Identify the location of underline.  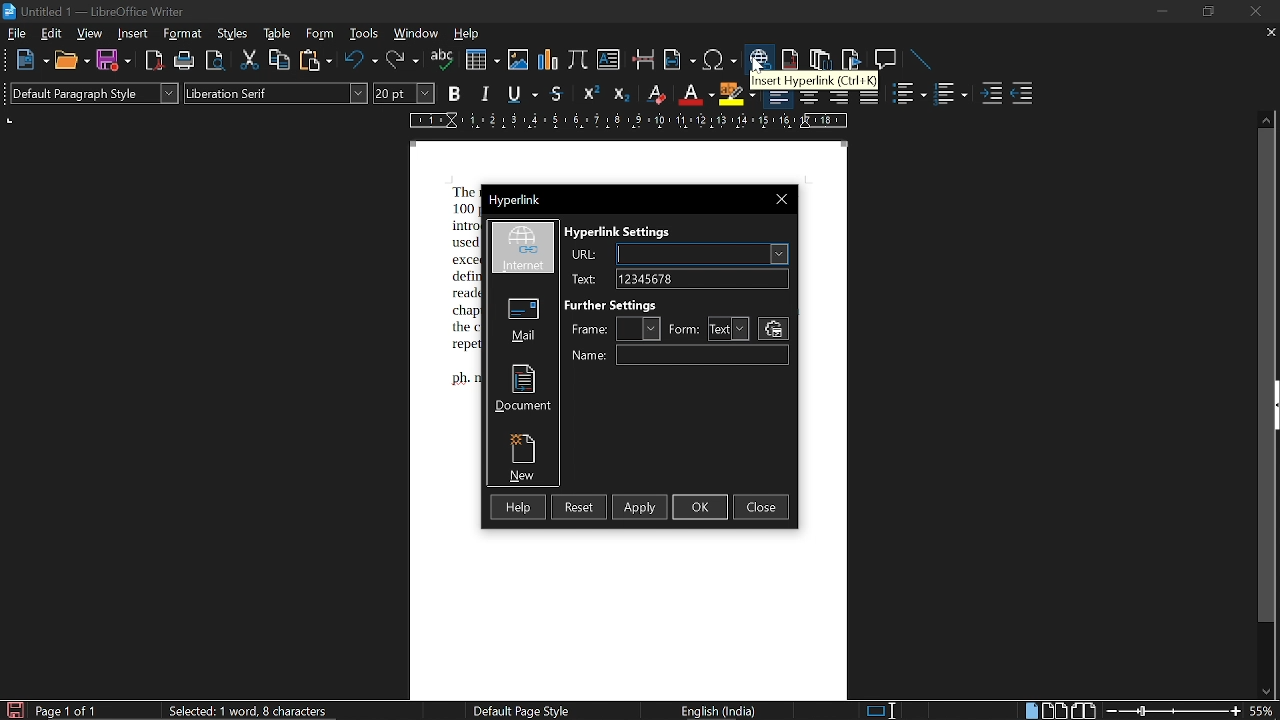
(521, 93).